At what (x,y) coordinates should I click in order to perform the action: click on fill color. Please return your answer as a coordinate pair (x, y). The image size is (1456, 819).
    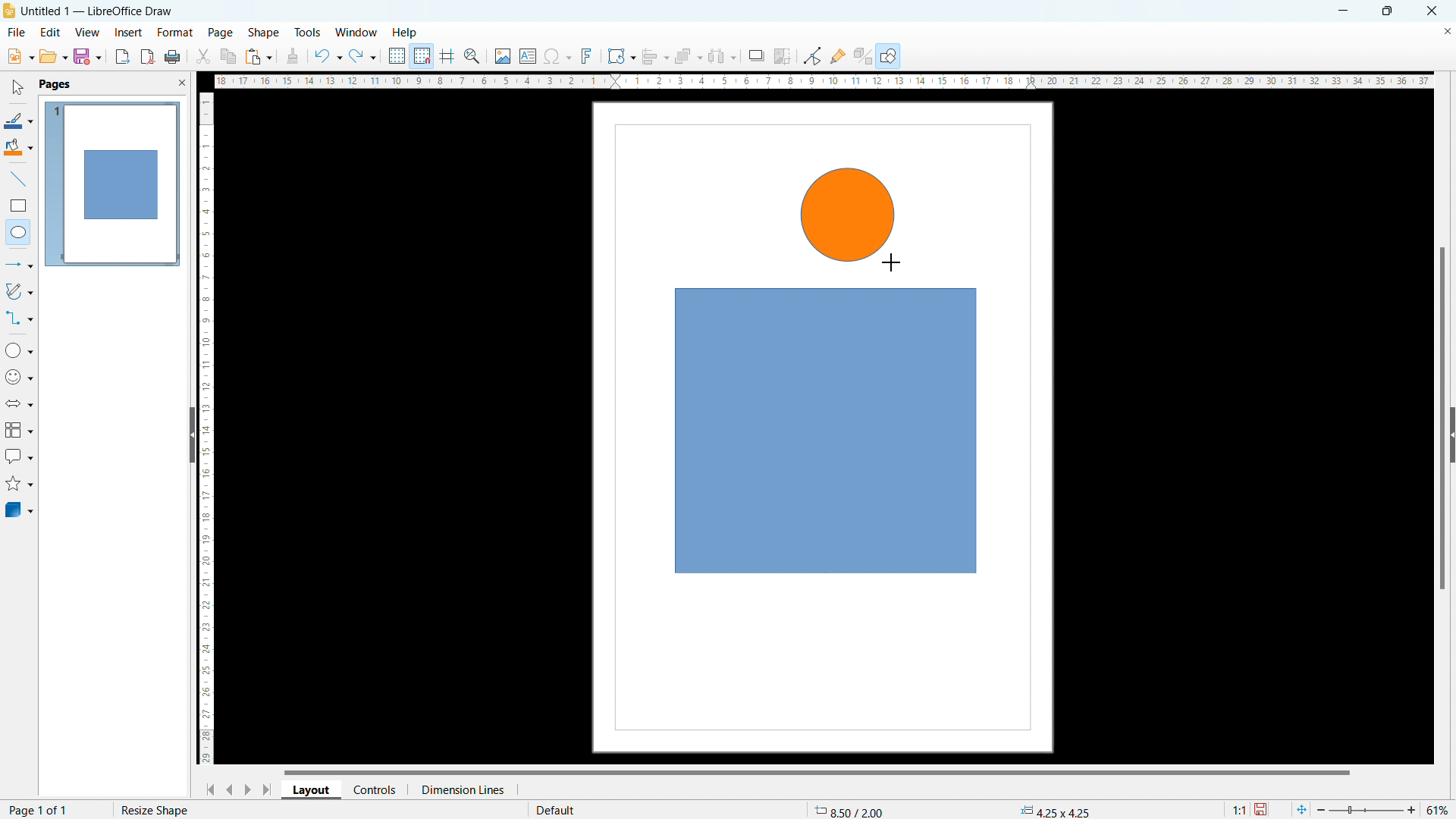
    Looking at the image, I should click on (19, 148).